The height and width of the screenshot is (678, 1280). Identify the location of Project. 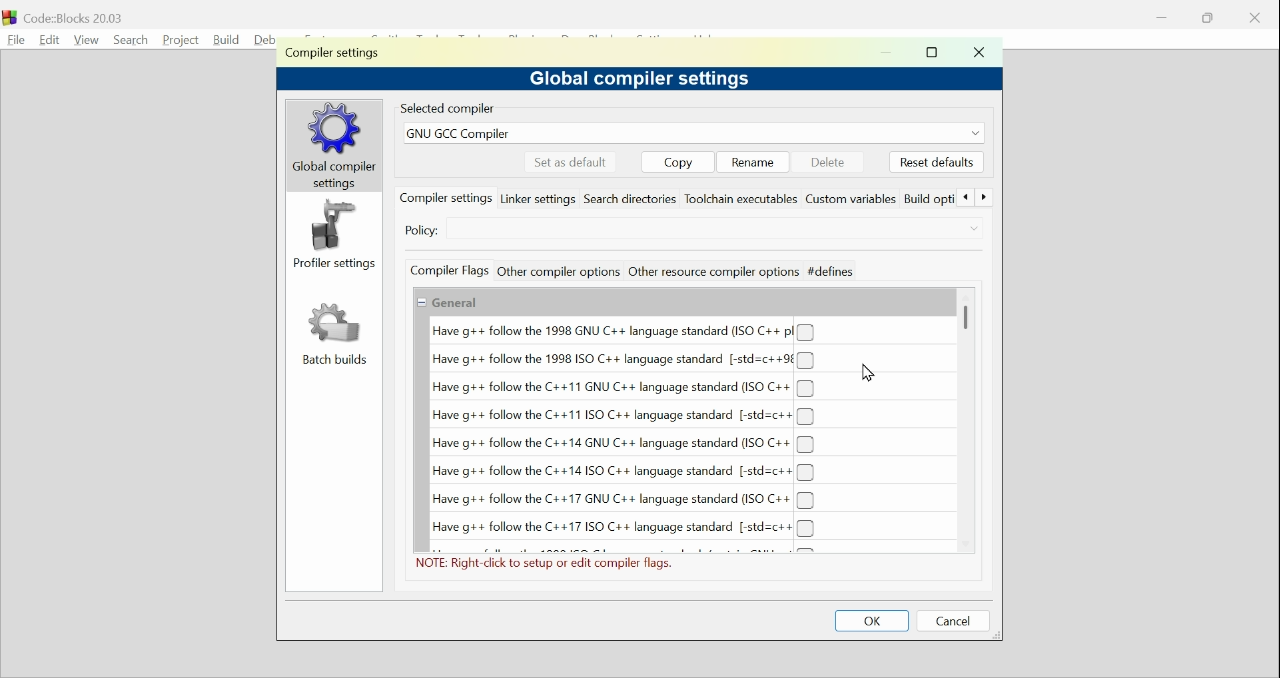
(179, 39).